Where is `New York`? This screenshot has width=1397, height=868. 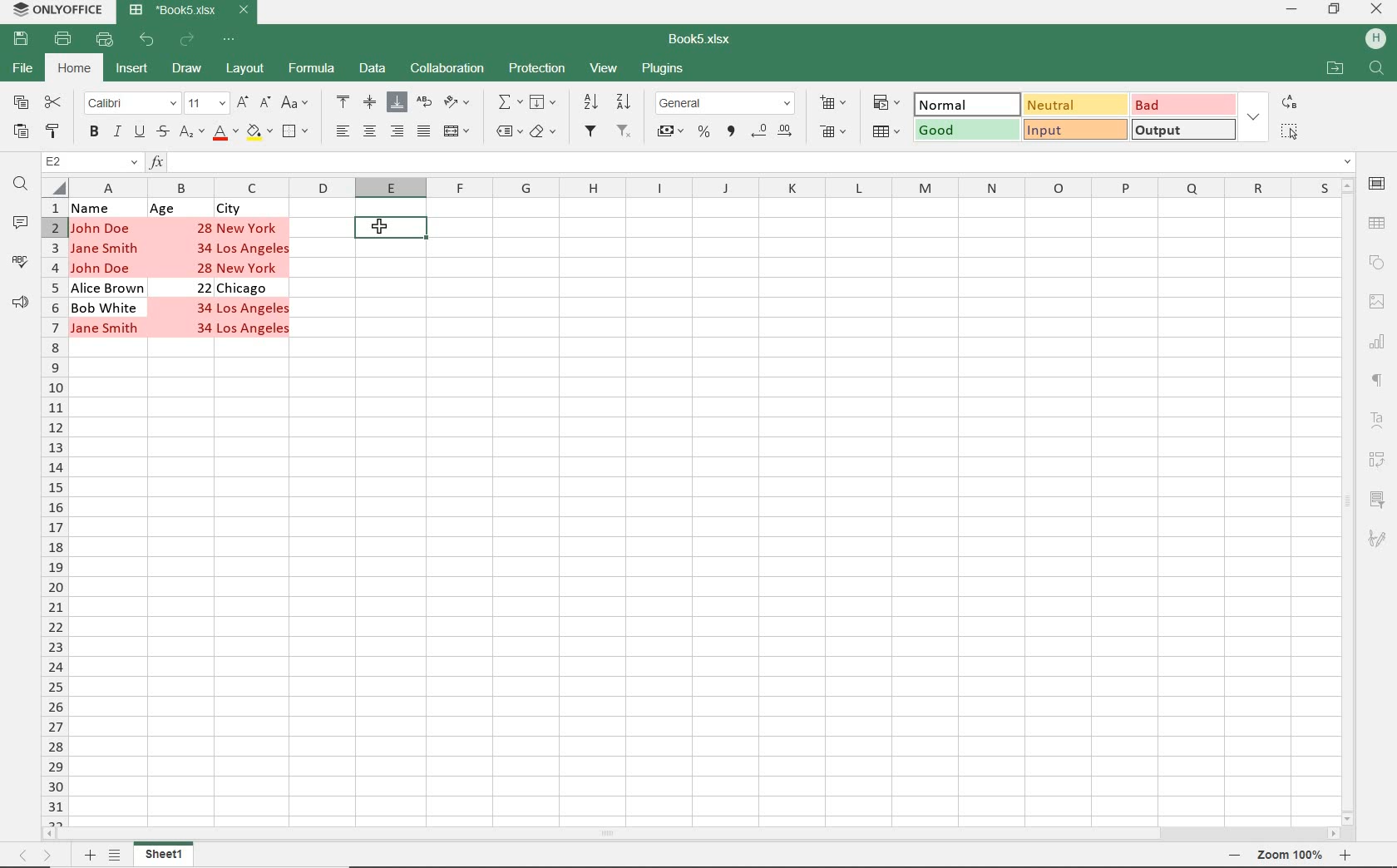
New York is located at coordinates (254, 268).